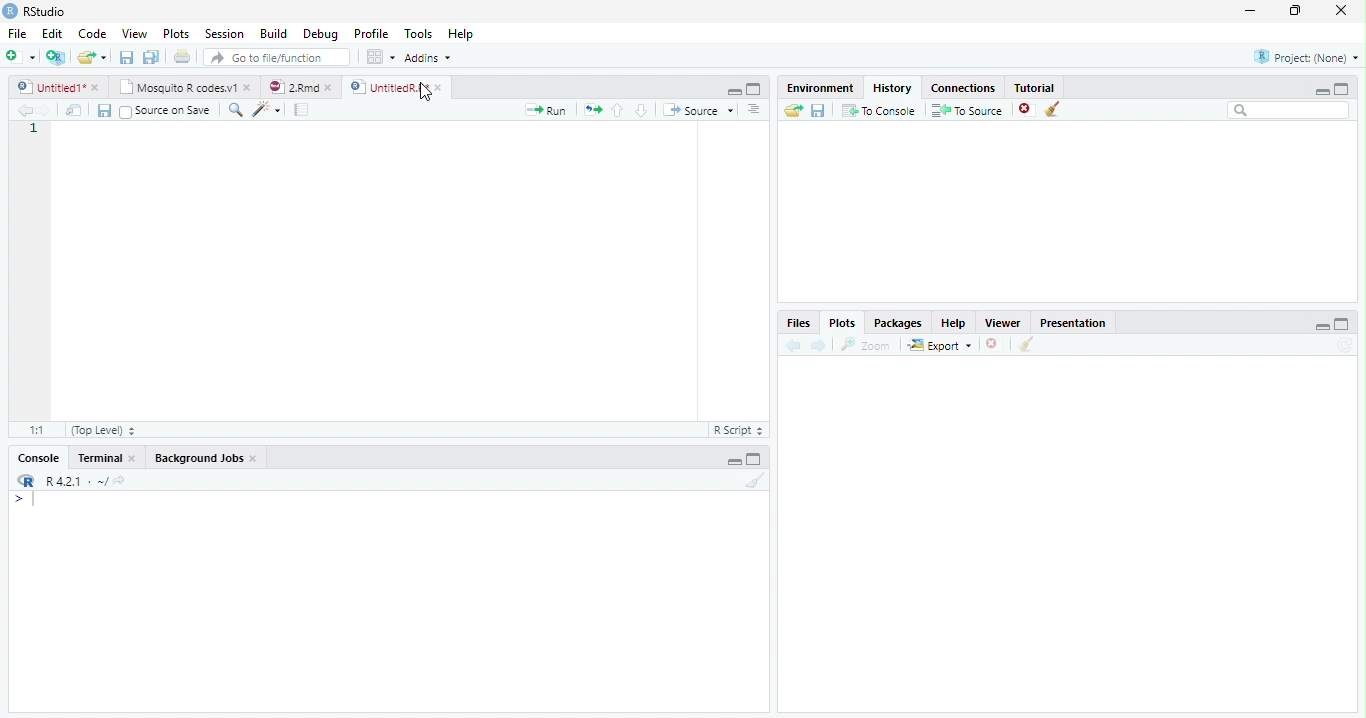 This screenshot has height=718, width=1366. I want to click on Minimize, so click(1251, 12).